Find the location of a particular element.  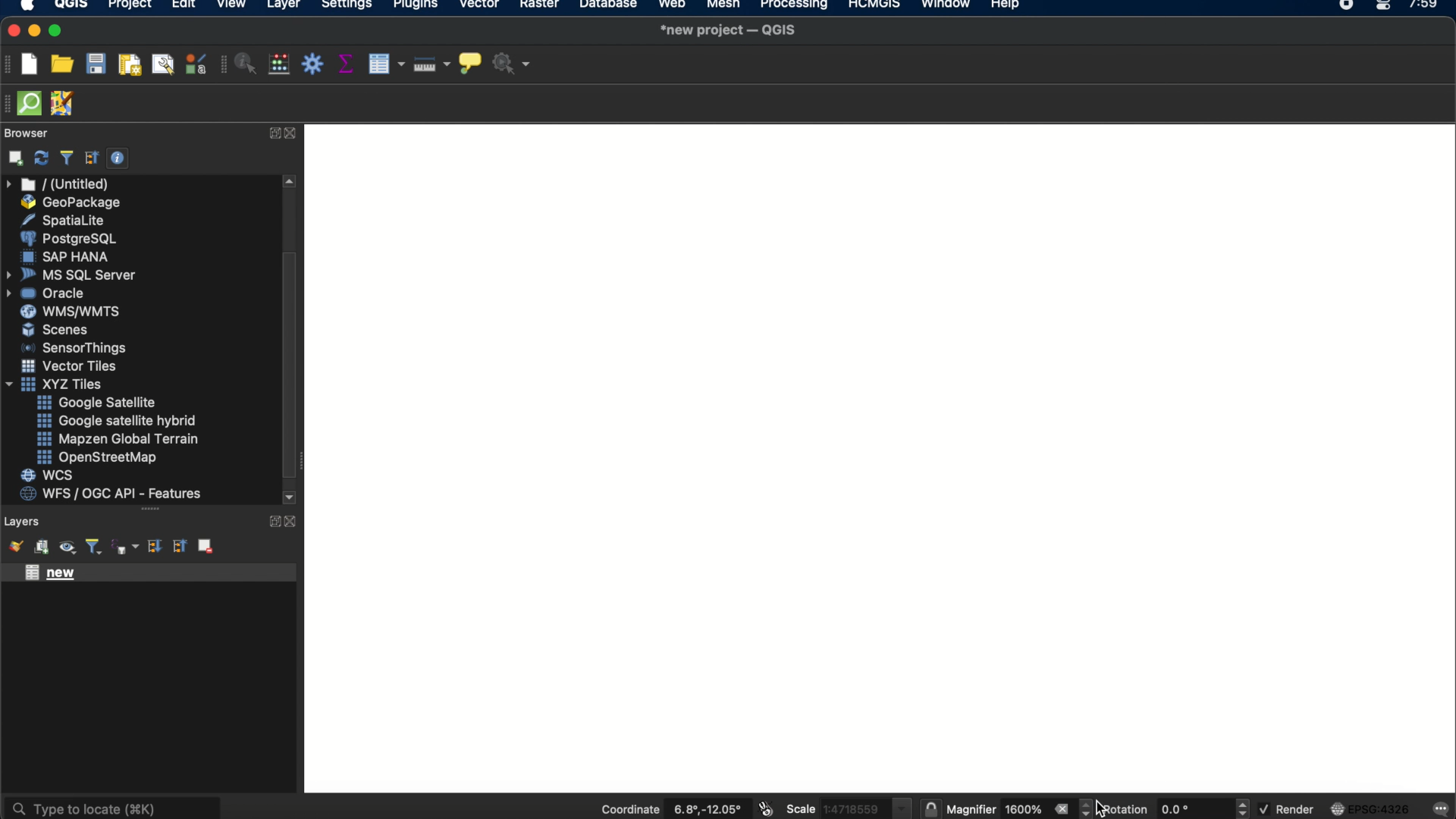

add group is located at coordinates (41, 548).